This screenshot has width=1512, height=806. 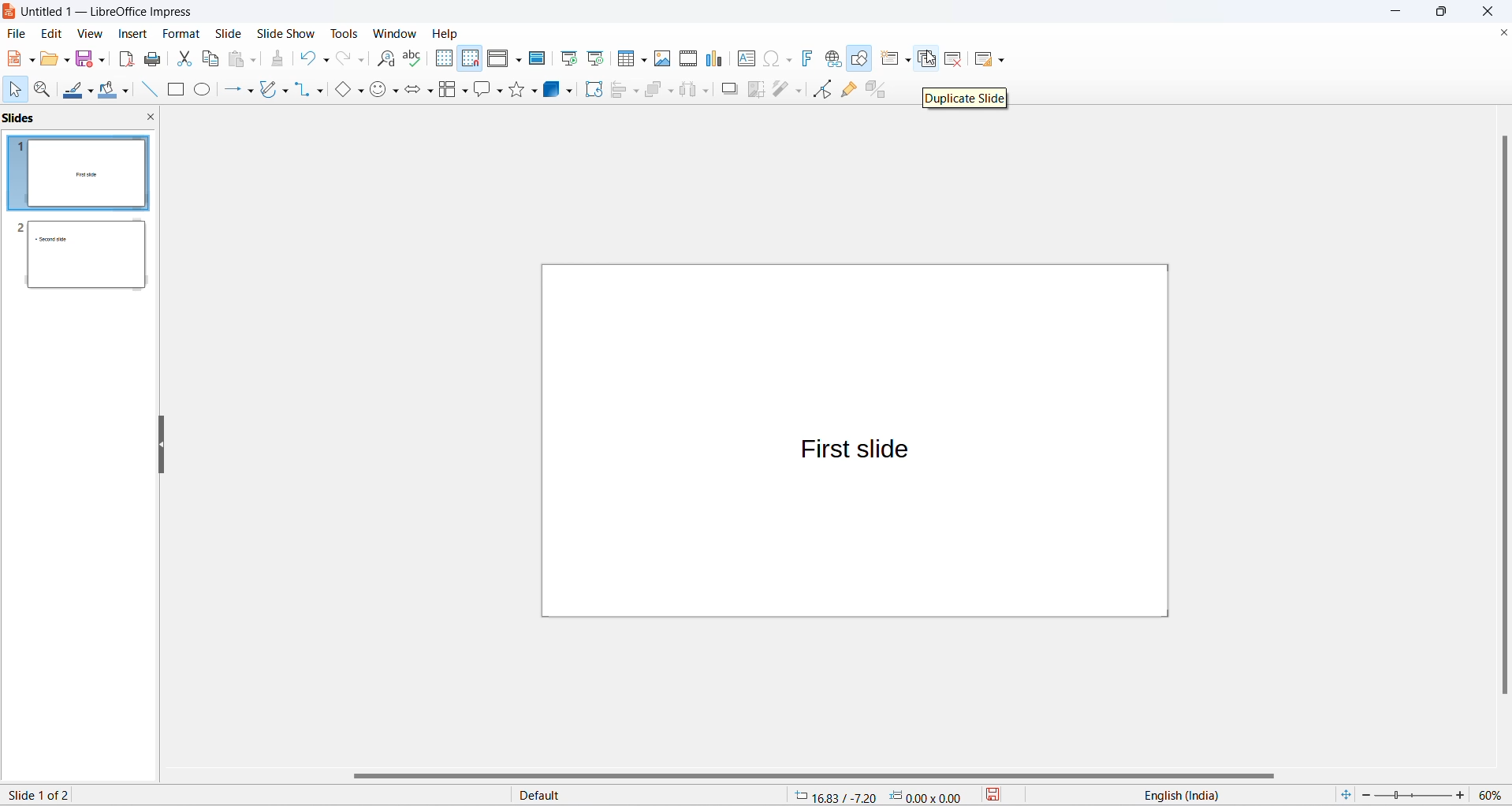 What do you see at coordinates (279, 59) in the screenshot?
I see `clone formatting` at bounding box center [279, 59].